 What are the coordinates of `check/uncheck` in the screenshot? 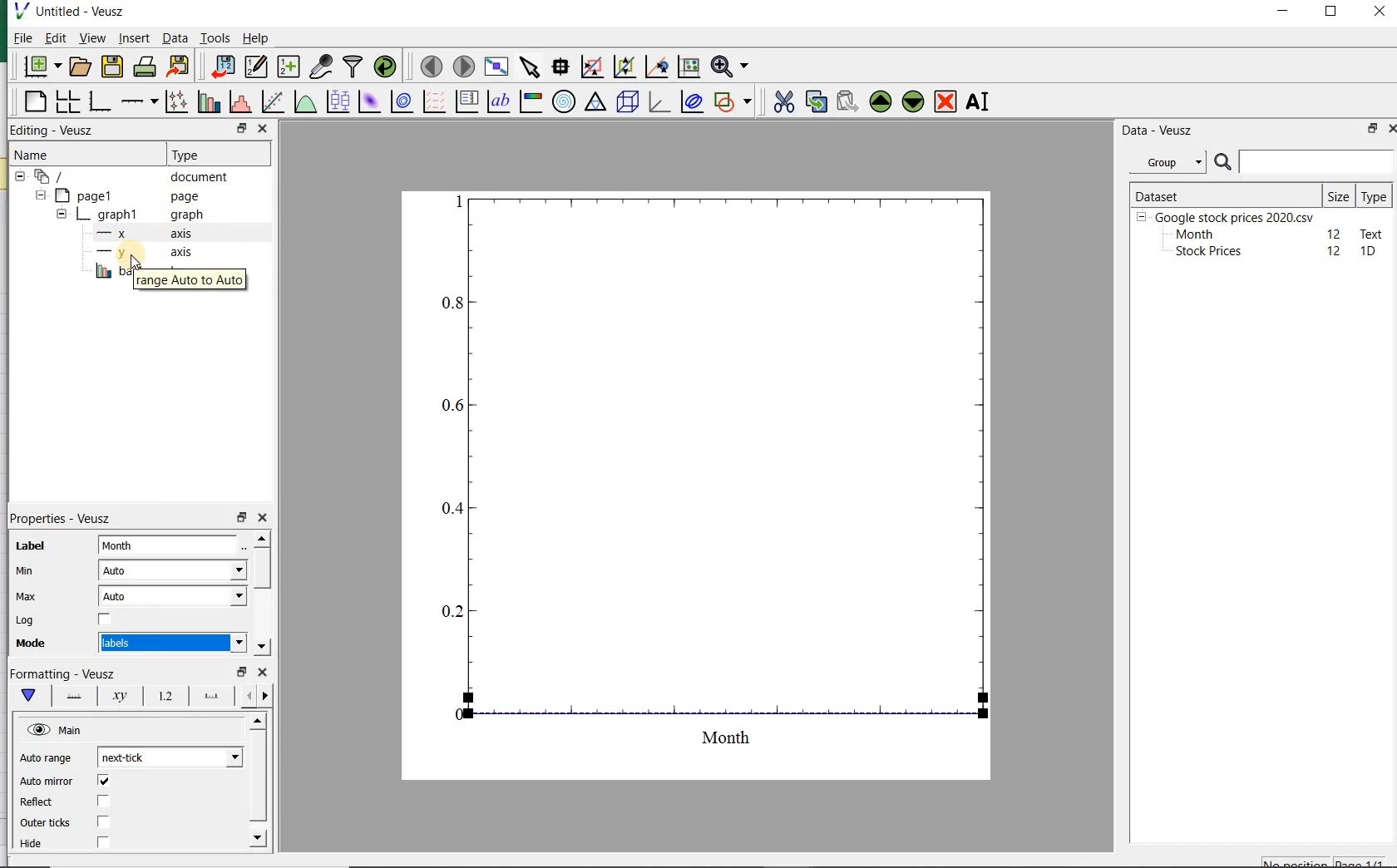 It's located at (103, 782).